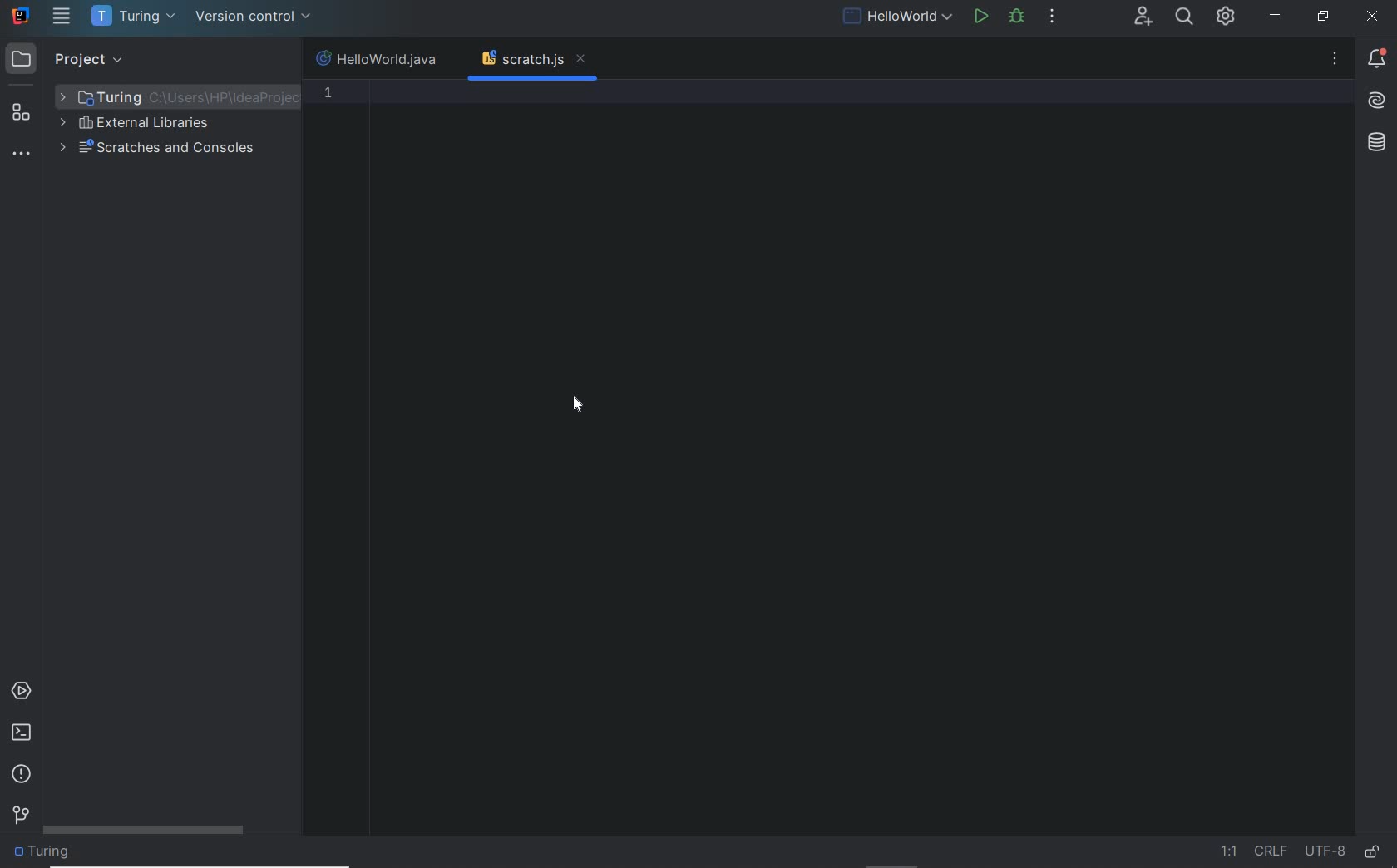  I want to click on services, so click(20, 691).